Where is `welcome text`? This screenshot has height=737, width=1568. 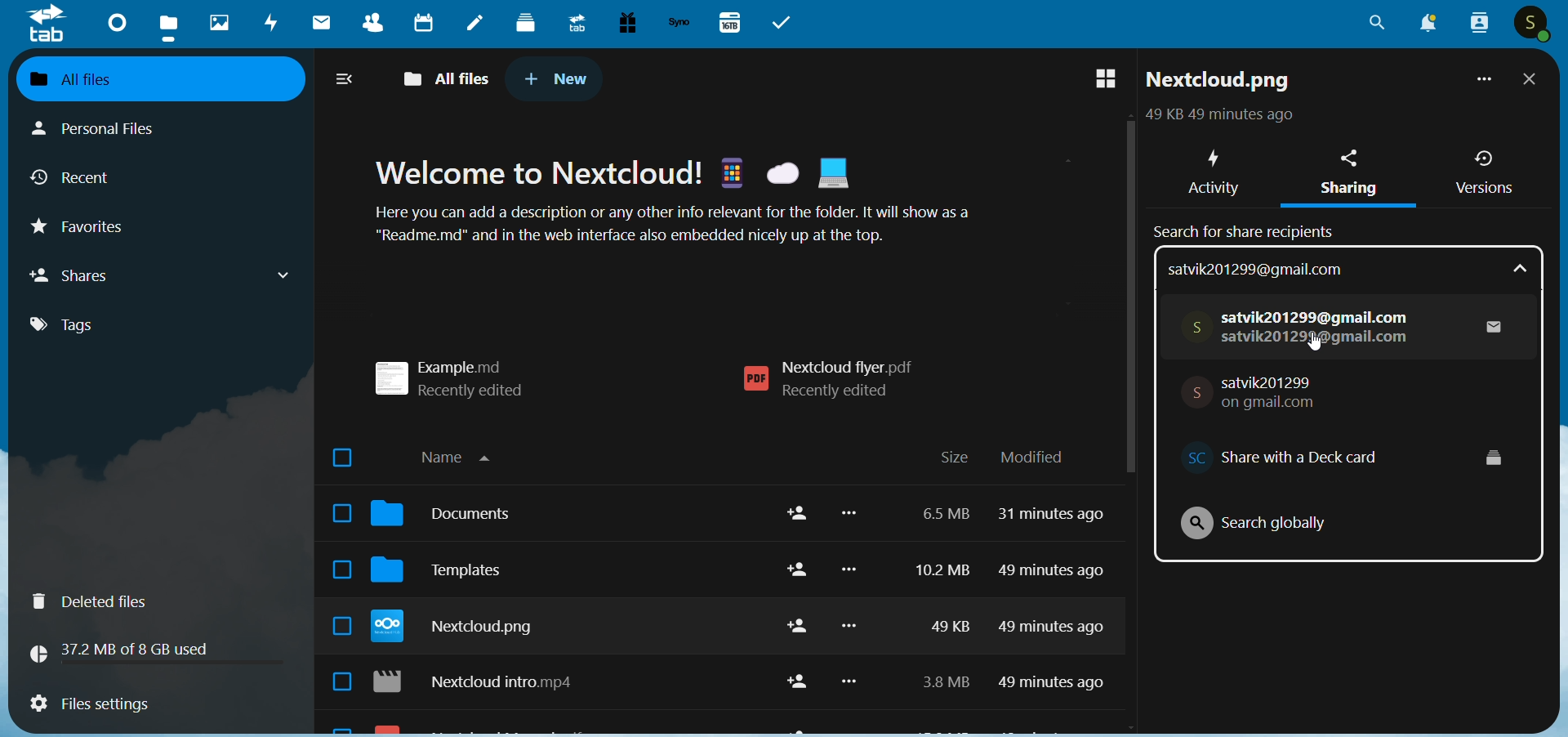
welcome text is located at coordinates (696, 205).